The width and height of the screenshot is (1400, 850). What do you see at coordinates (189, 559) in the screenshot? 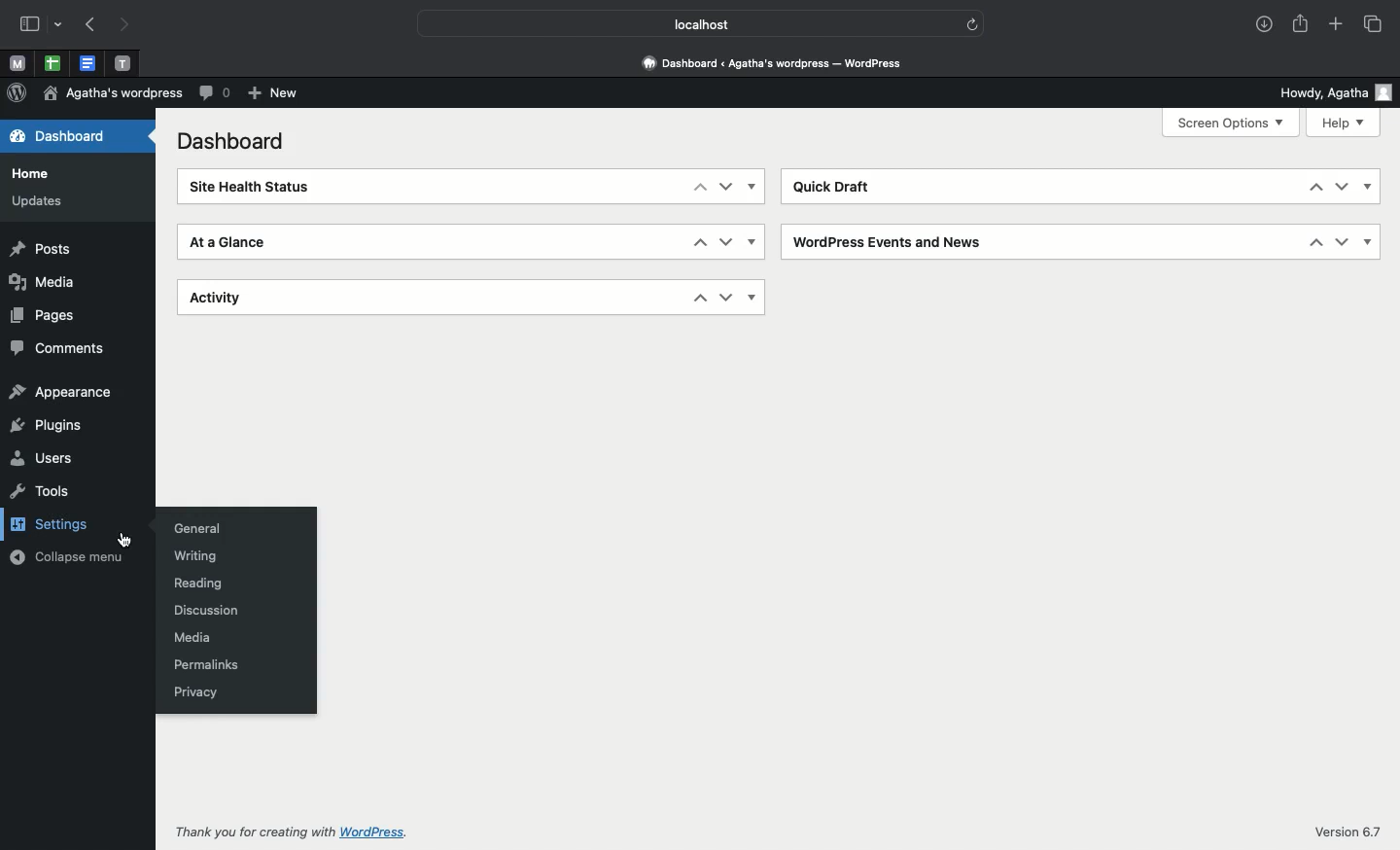
I see `Writing` at bounding box center [189, 559].